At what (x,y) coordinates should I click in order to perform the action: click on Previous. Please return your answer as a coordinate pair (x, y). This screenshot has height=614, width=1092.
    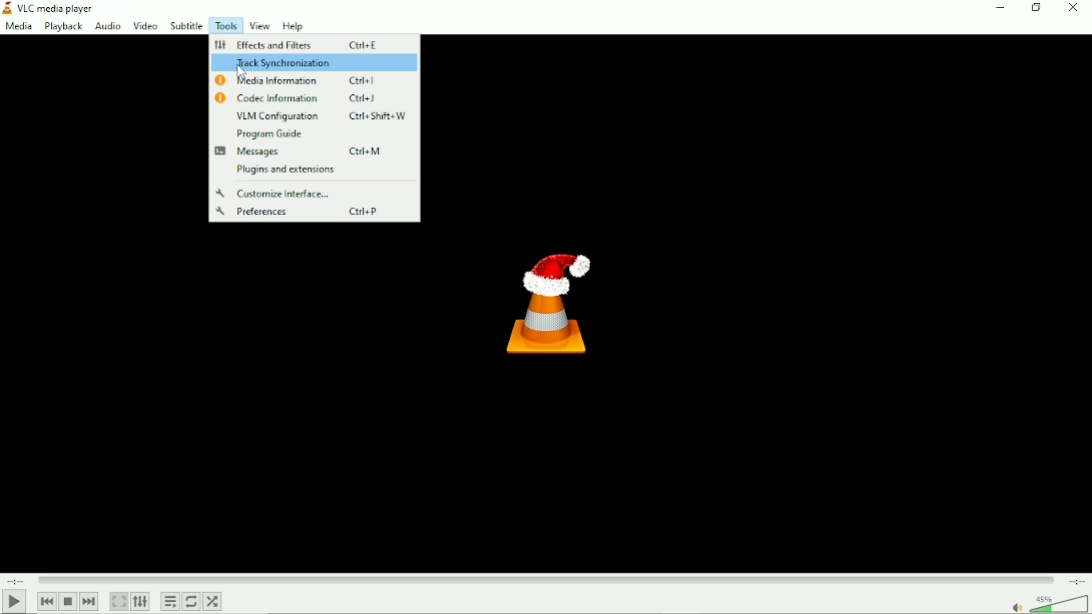
    Looking at the image, I should click on (46, 601).